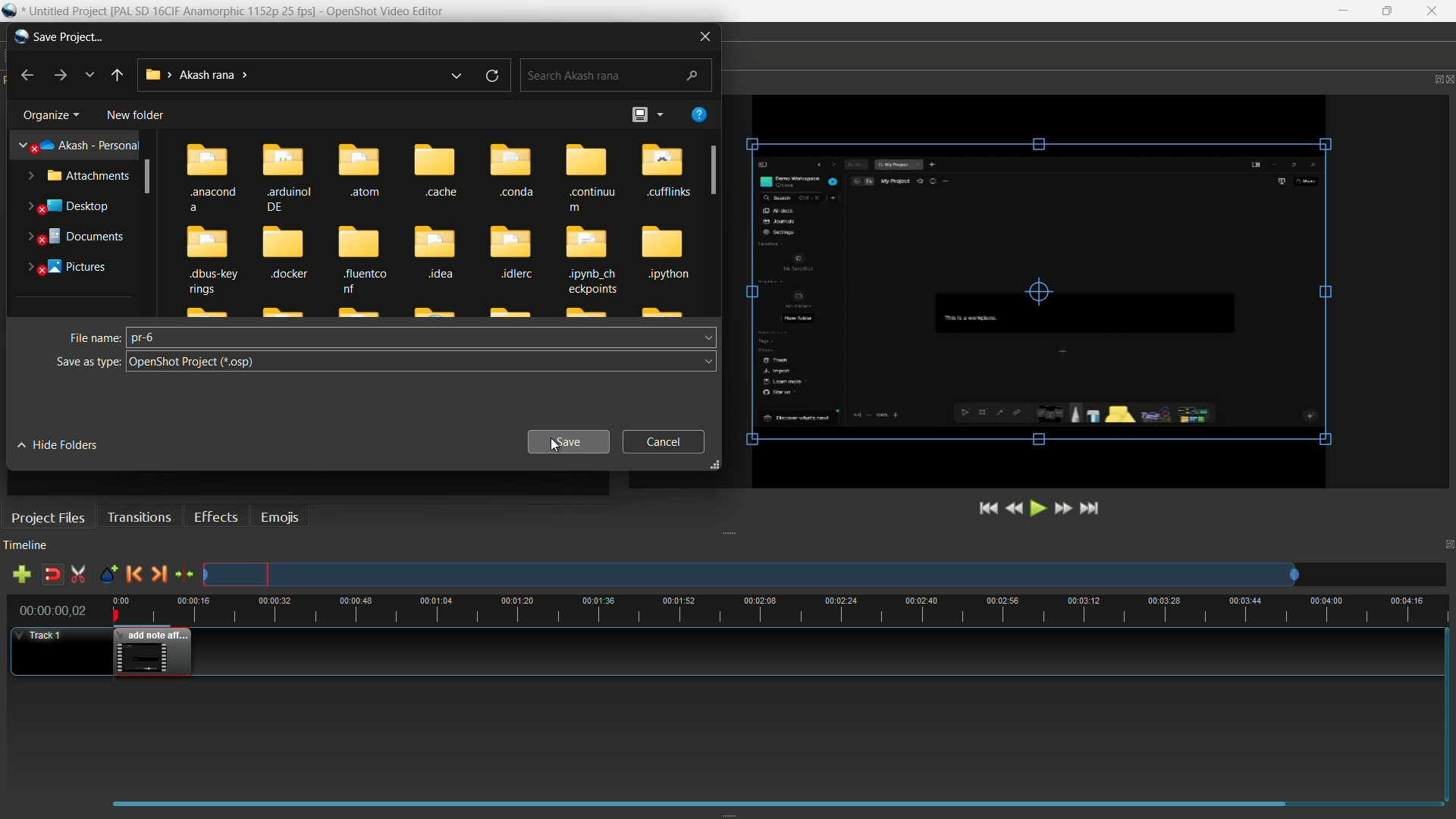 The image size is (1456, 819). Describe the element at coordinates (716, 169) in the screenshot. I see `scroll bar` at that location.